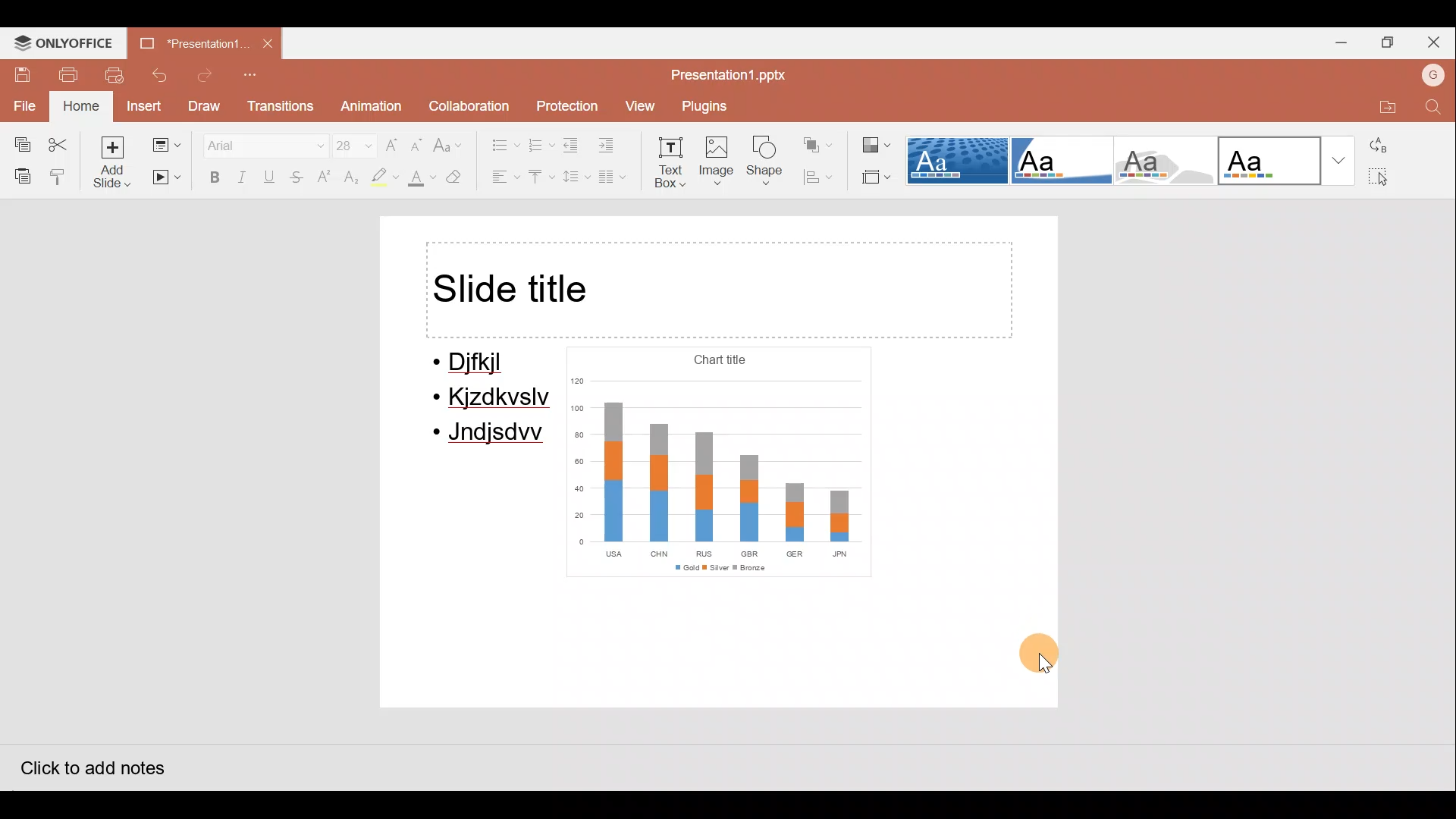  What do you see at coordinates (60, 42) in the screenshot?
I see `ONLYOFFICE` at bounding box center [60, 42].